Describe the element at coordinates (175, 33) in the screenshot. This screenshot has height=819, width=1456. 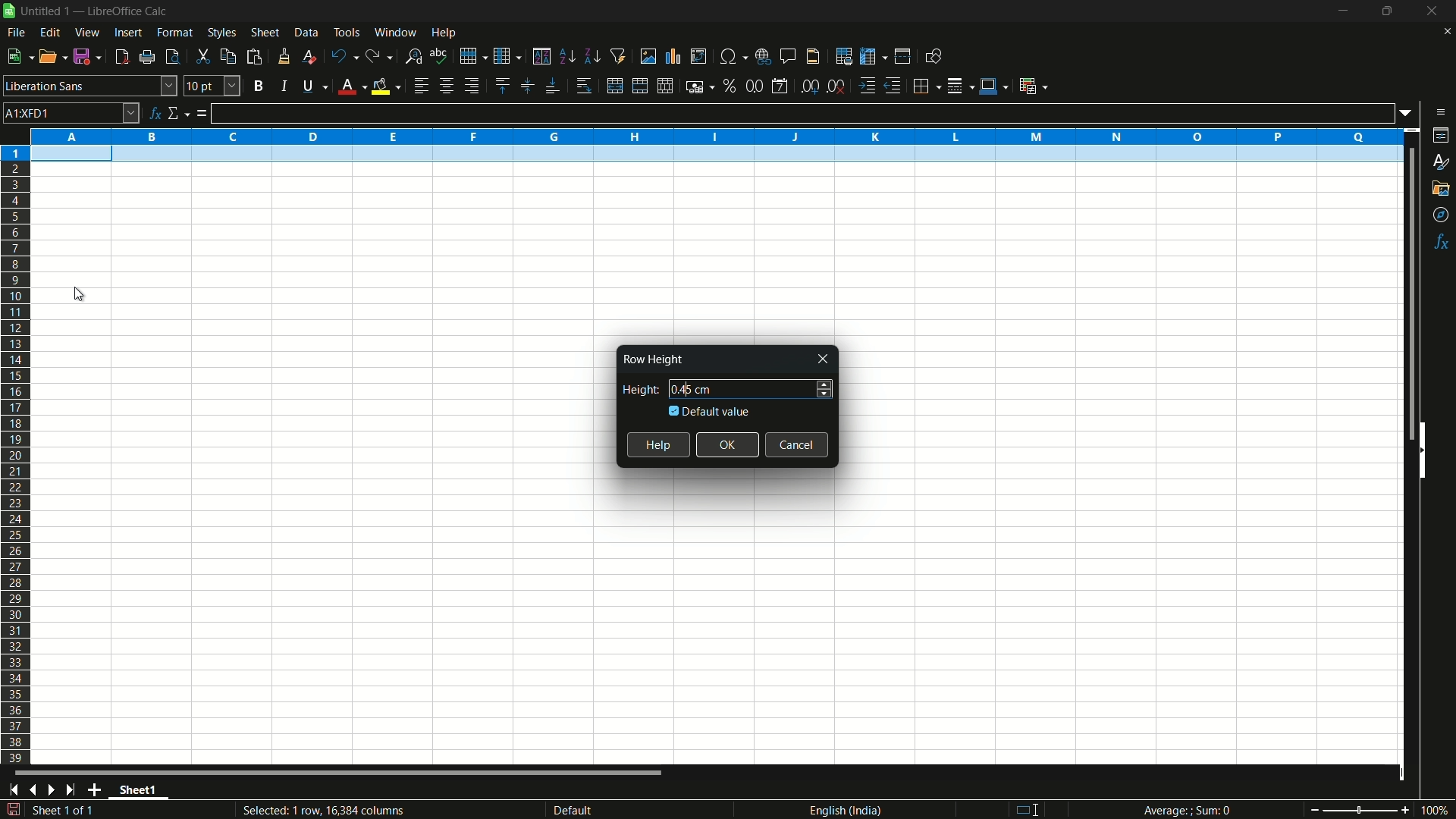
I see `format menu` at that location.